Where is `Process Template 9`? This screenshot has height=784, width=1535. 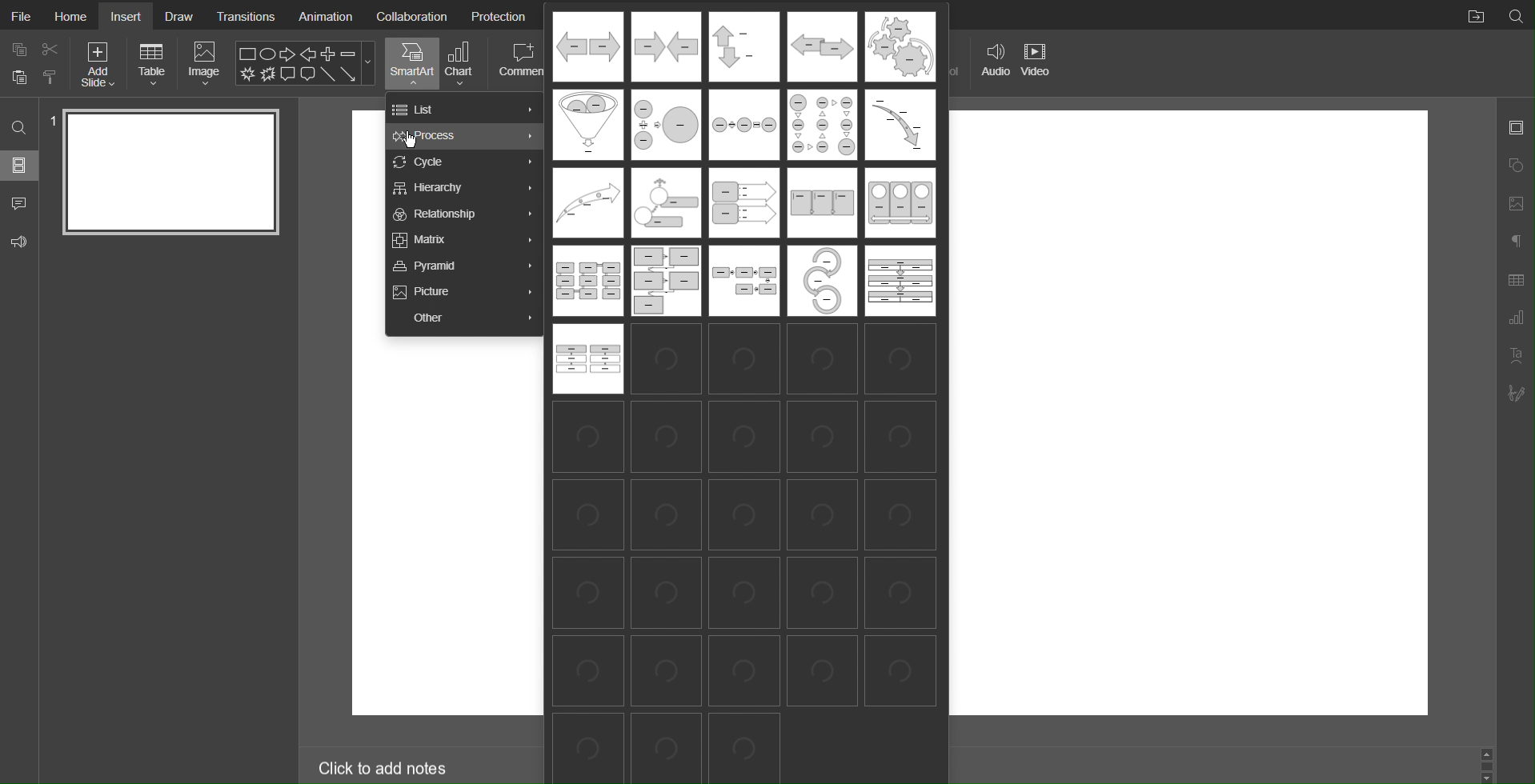
Process Template 9 is located at coordinates (824, 126).